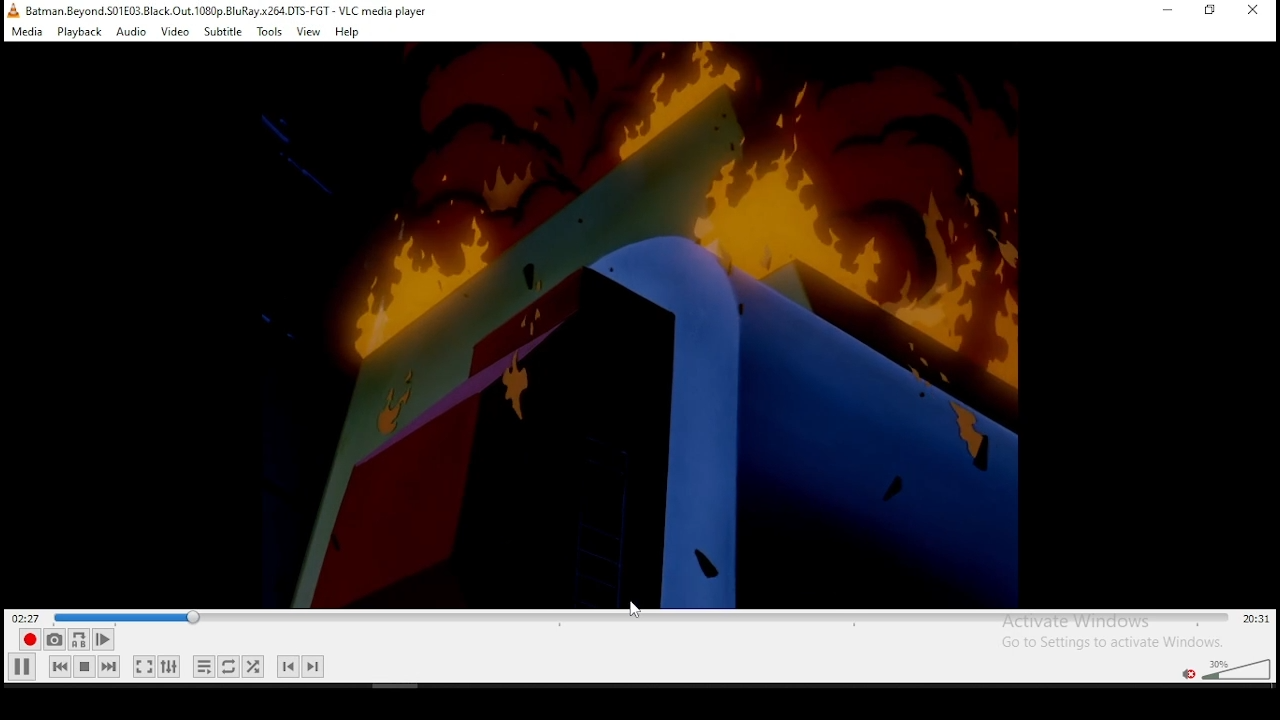 This screenshot has height=720, width=1280. I want to click on remaining/total time, so click(1257, 619).